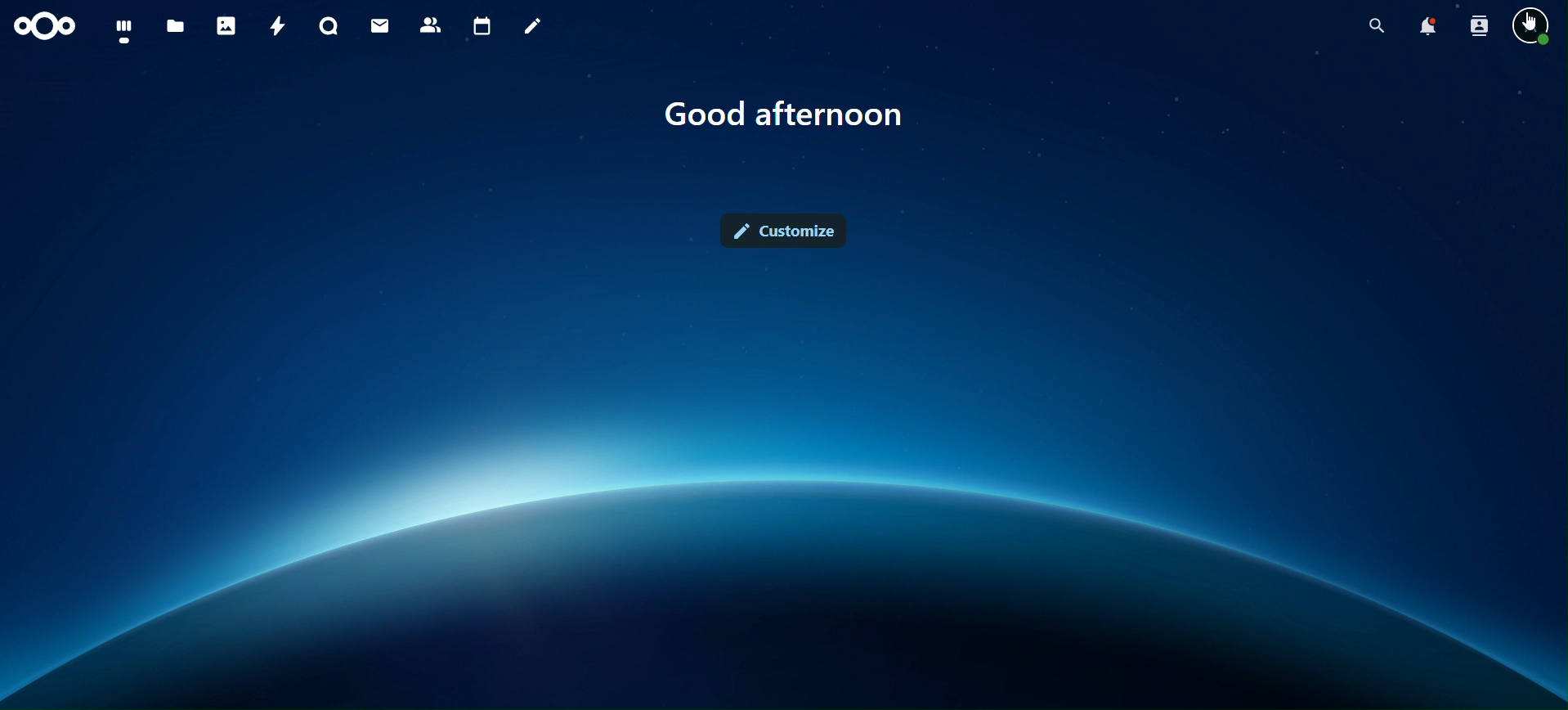 This screenshot has height=710, width=1568. Describe the element at coordinates (123, 32) in the screenshot. I see `dashboard` at that location.